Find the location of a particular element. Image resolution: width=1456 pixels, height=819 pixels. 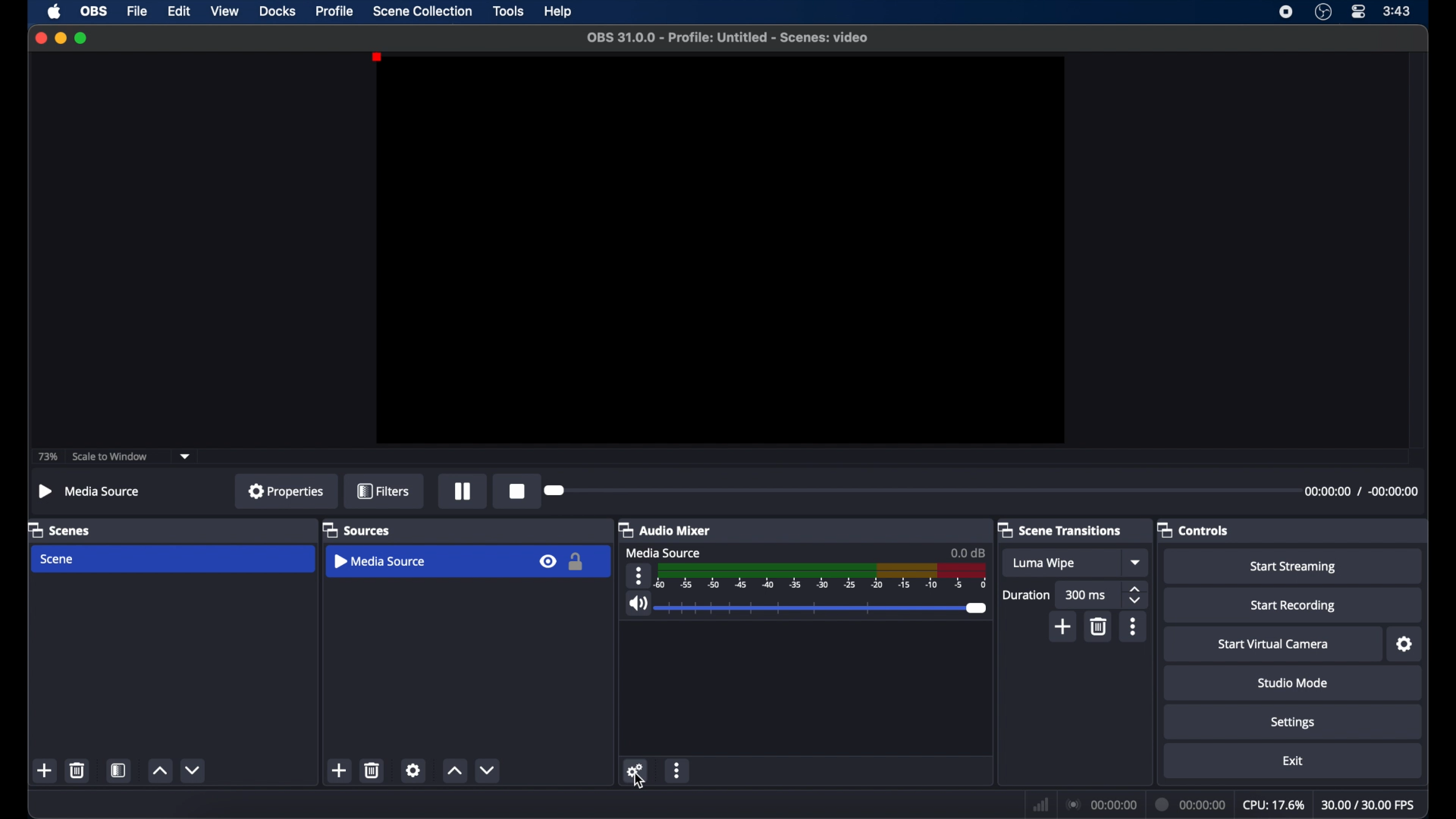

audio mixer is located at coordinates (666, 529).